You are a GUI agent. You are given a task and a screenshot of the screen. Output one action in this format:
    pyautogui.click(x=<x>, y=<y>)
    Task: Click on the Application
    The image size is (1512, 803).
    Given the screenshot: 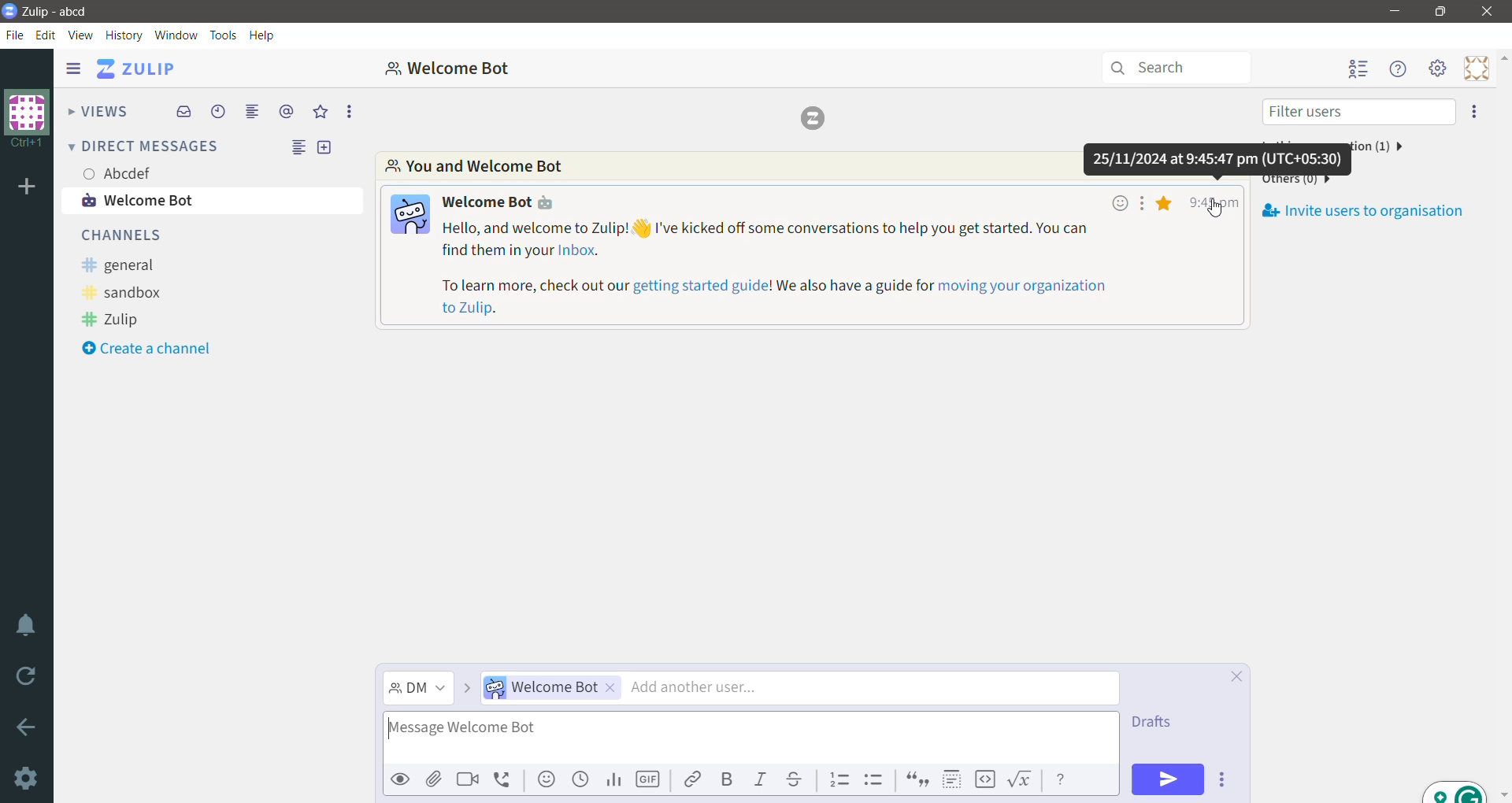 What is the action you would take?
    pyautogui.click(x=143, y=68)
    